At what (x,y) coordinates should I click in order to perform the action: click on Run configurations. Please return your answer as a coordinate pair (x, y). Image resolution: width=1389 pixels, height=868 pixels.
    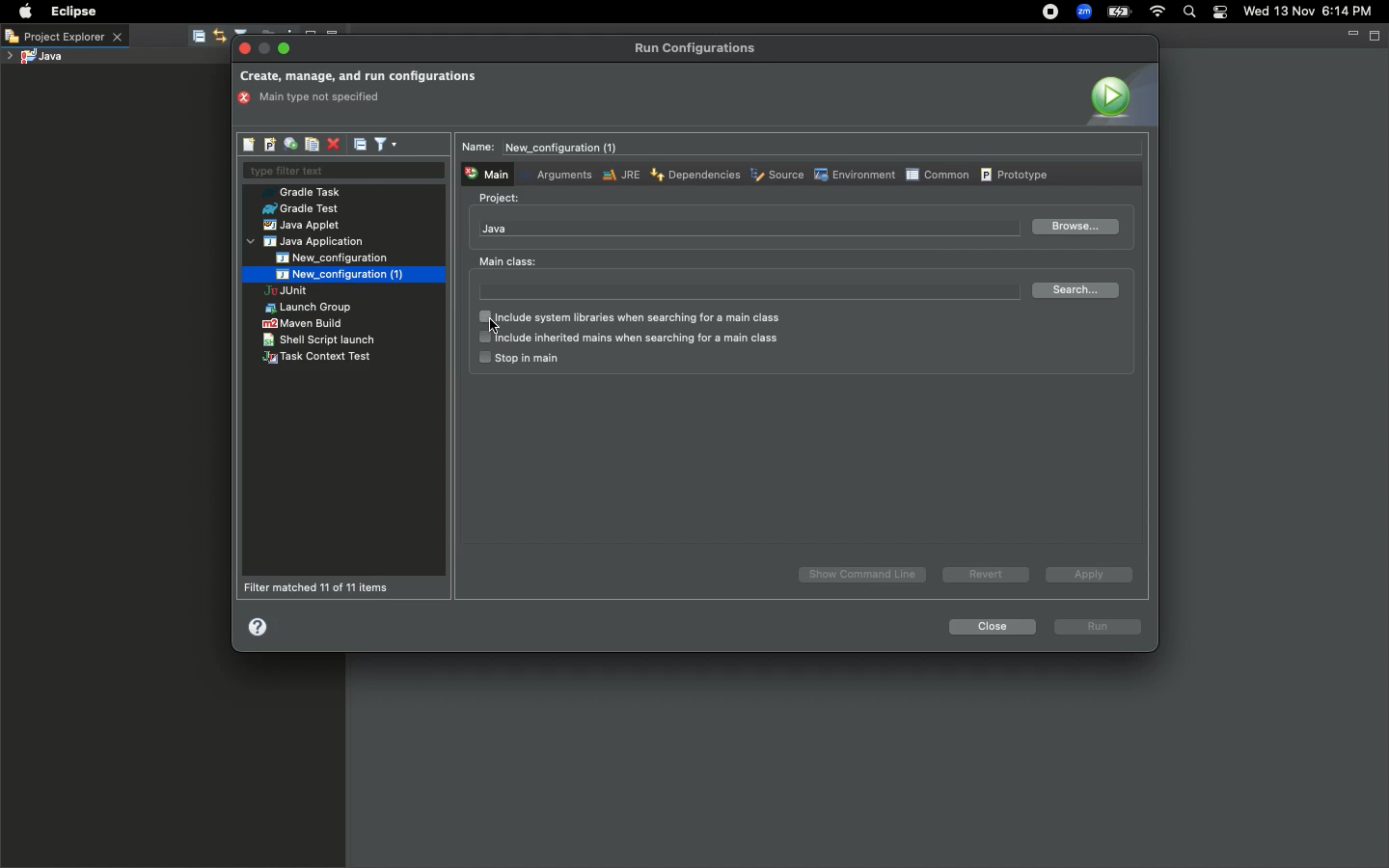
    Looking at the image, I should click on (698, 48).